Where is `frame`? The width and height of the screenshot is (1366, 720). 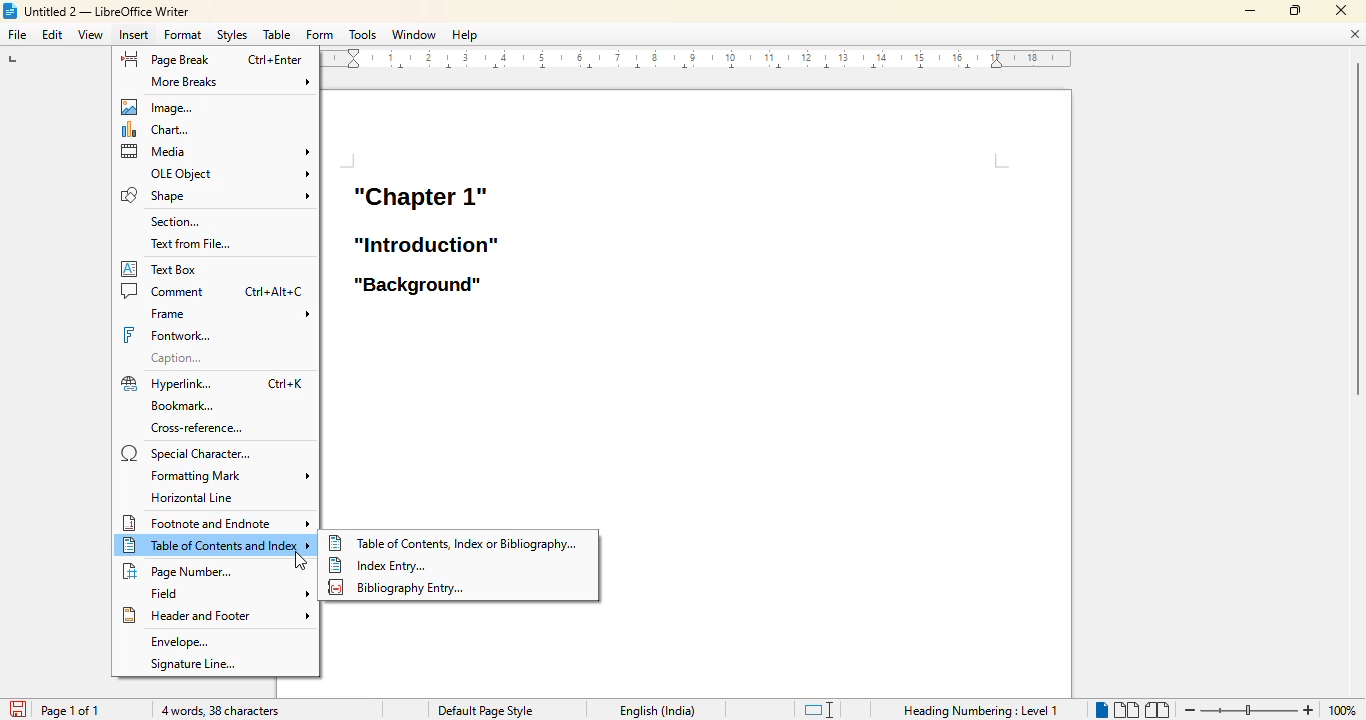 frame is located at coordinates (227, 313).